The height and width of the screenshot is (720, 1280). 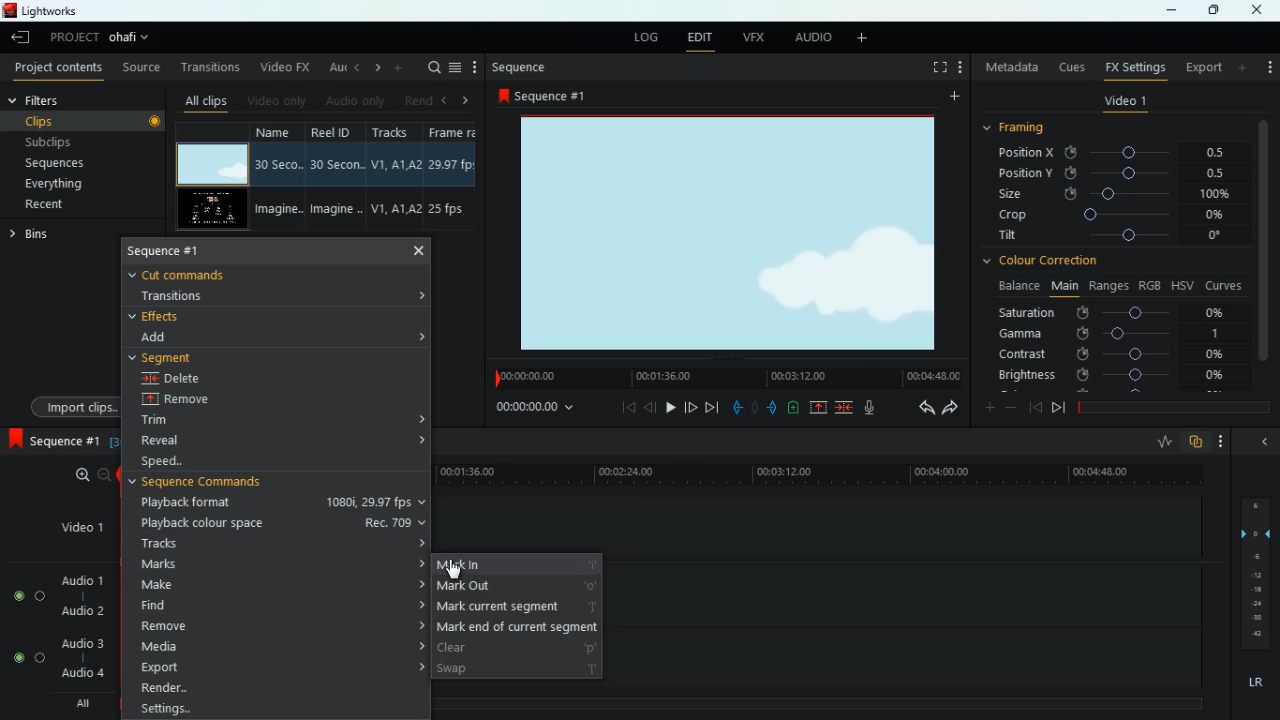 What do you see at coordinates (87, 476) in the screenshot?
I see `zoom` at bounding box center [87, 476].